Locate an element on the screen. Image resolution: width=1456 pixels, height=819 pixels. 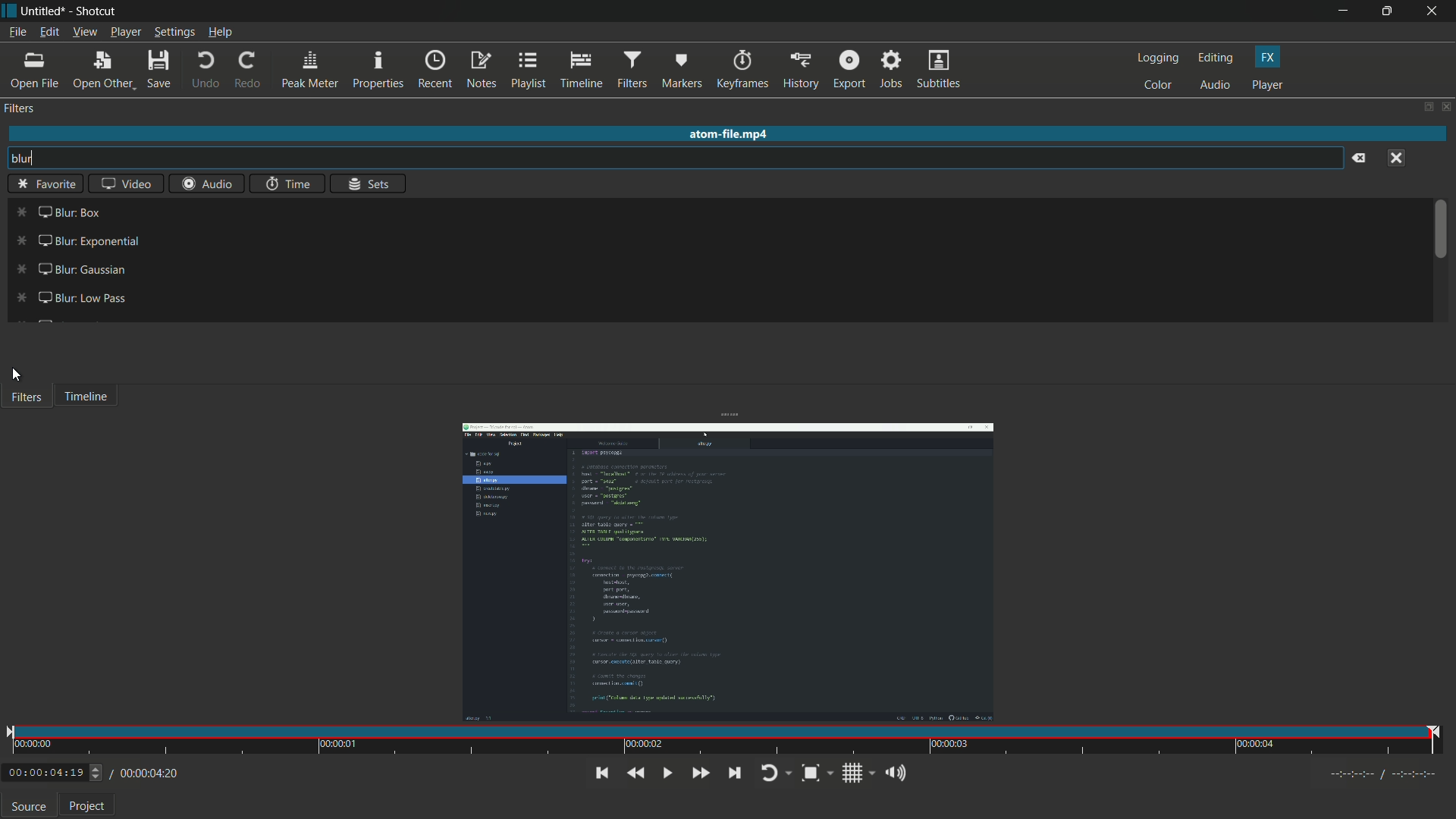
redo is located at coordinates (248, 70).